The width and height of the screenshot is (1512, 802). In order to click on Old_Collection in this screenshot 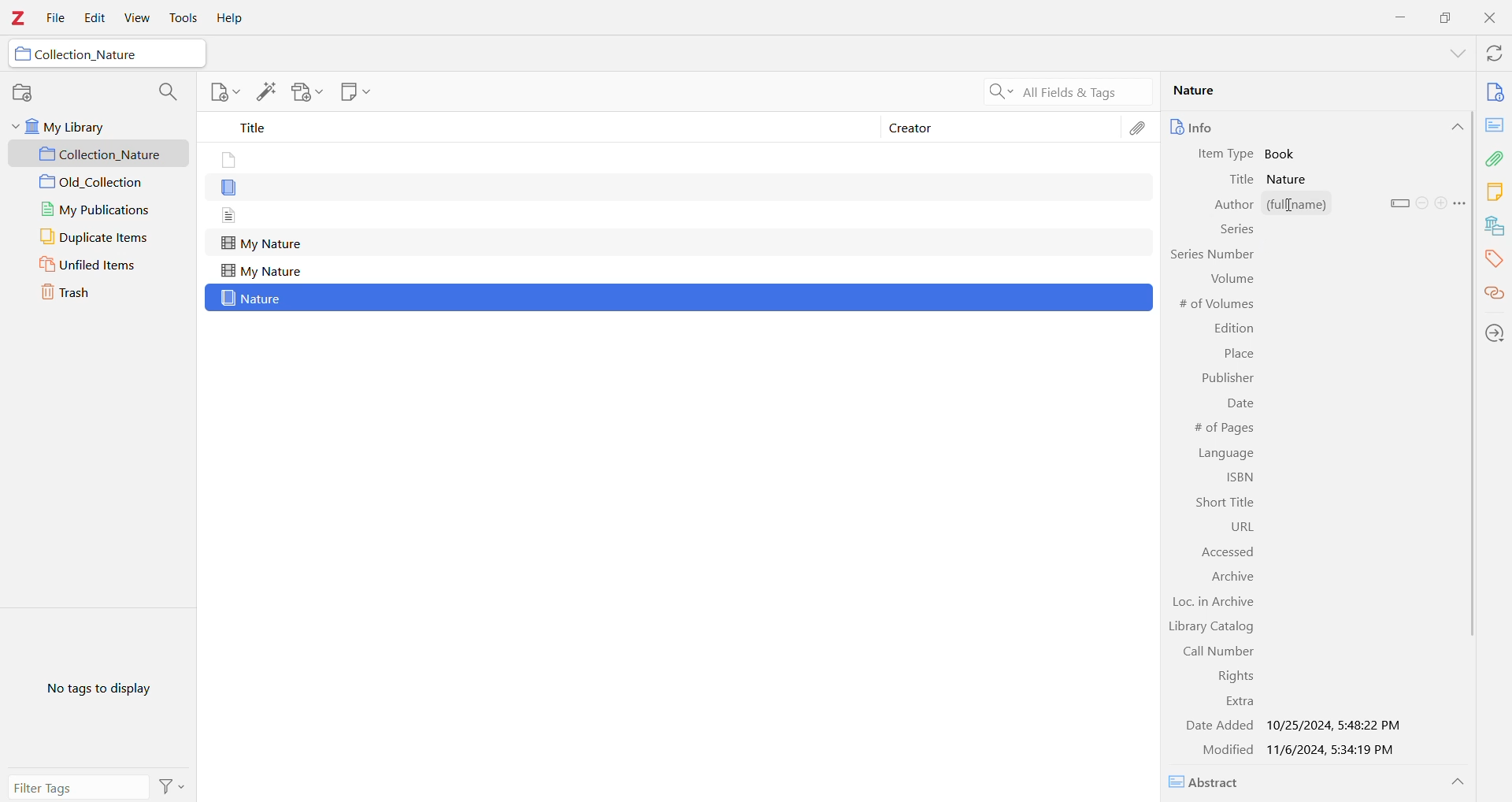, I will do `click(100, 183)`.